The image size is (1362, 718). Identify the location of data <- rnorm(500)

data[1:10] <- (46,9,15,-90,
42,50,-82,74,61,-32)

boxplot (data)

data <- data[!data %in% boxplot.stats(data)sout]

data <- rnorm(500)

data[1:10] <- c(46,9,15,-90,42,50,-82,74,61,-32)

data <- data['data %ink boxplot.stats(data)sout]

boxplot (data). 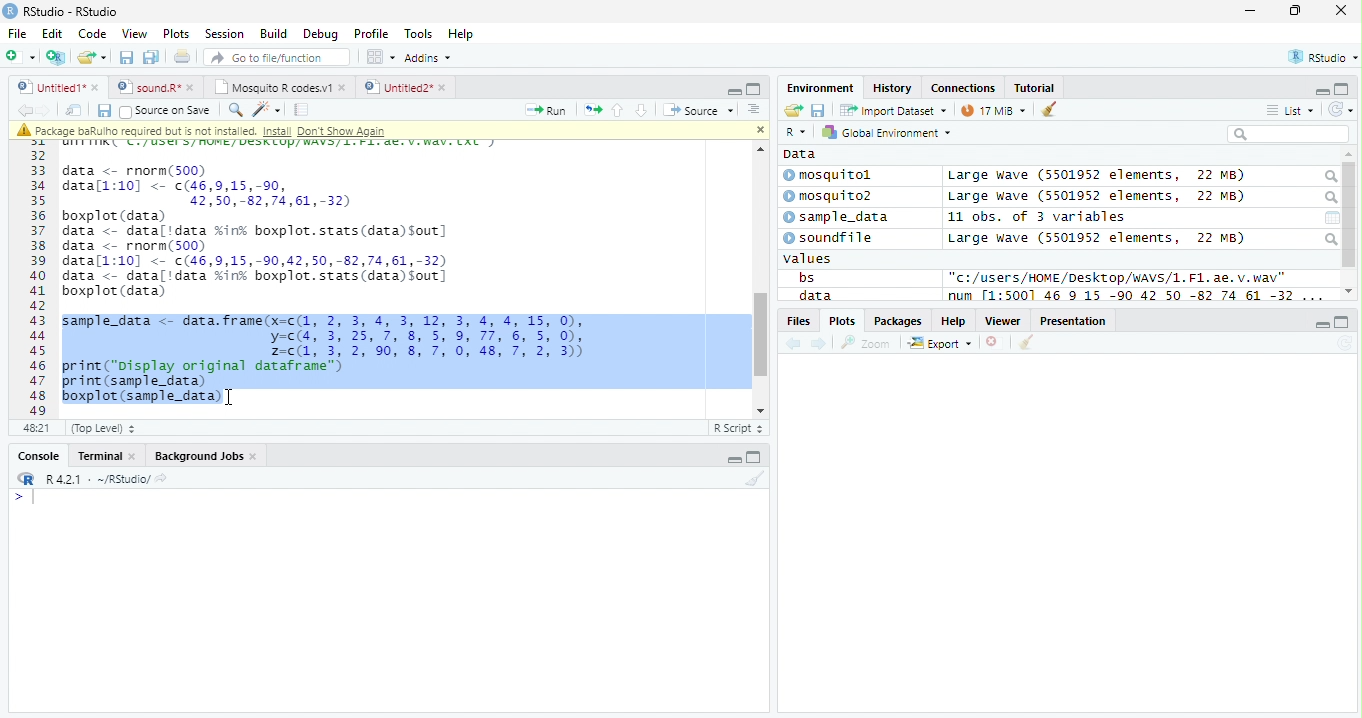
(258, 232).